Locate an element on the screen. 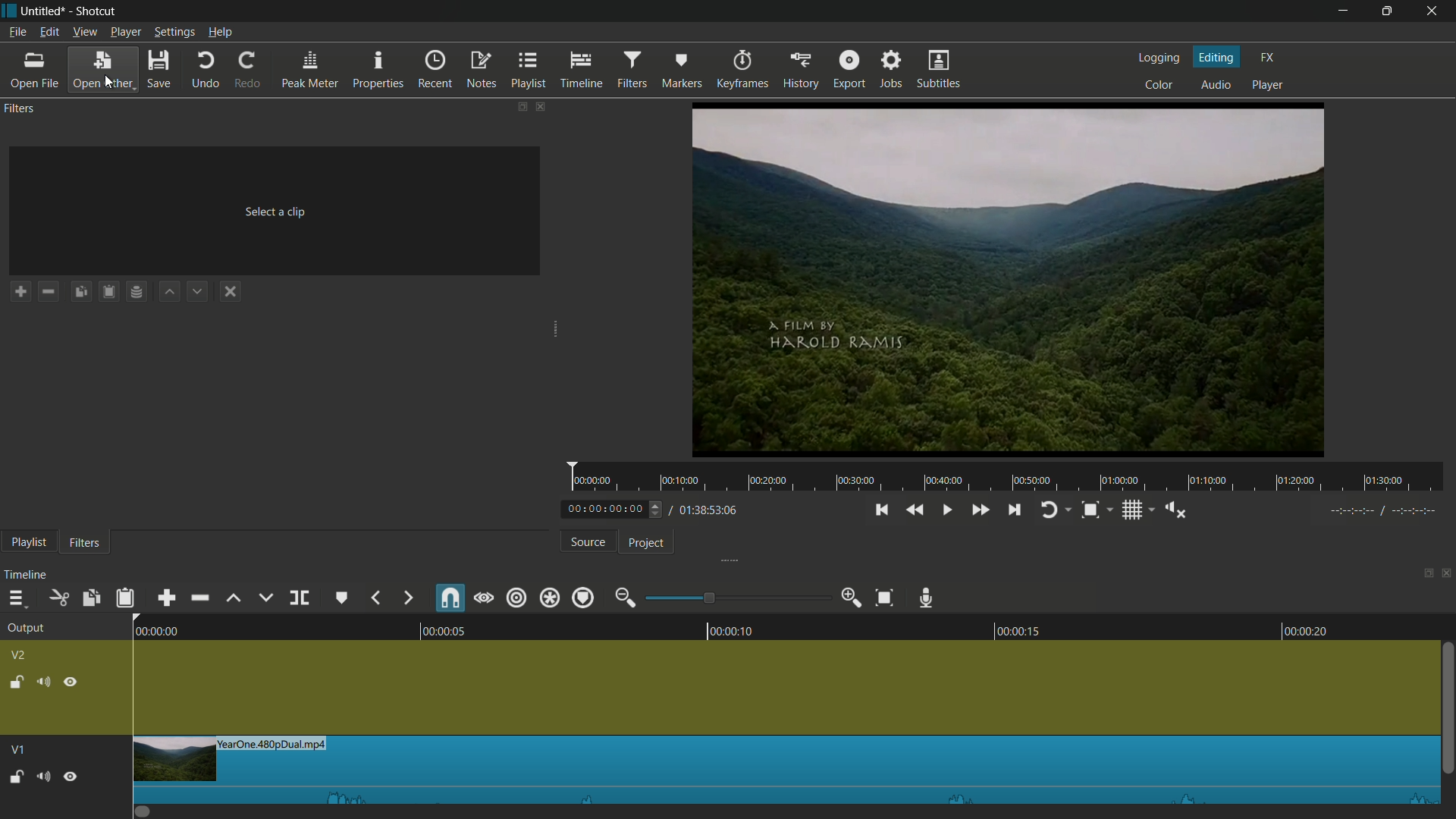  toggle play or pause is located at coordinates (949, 510).